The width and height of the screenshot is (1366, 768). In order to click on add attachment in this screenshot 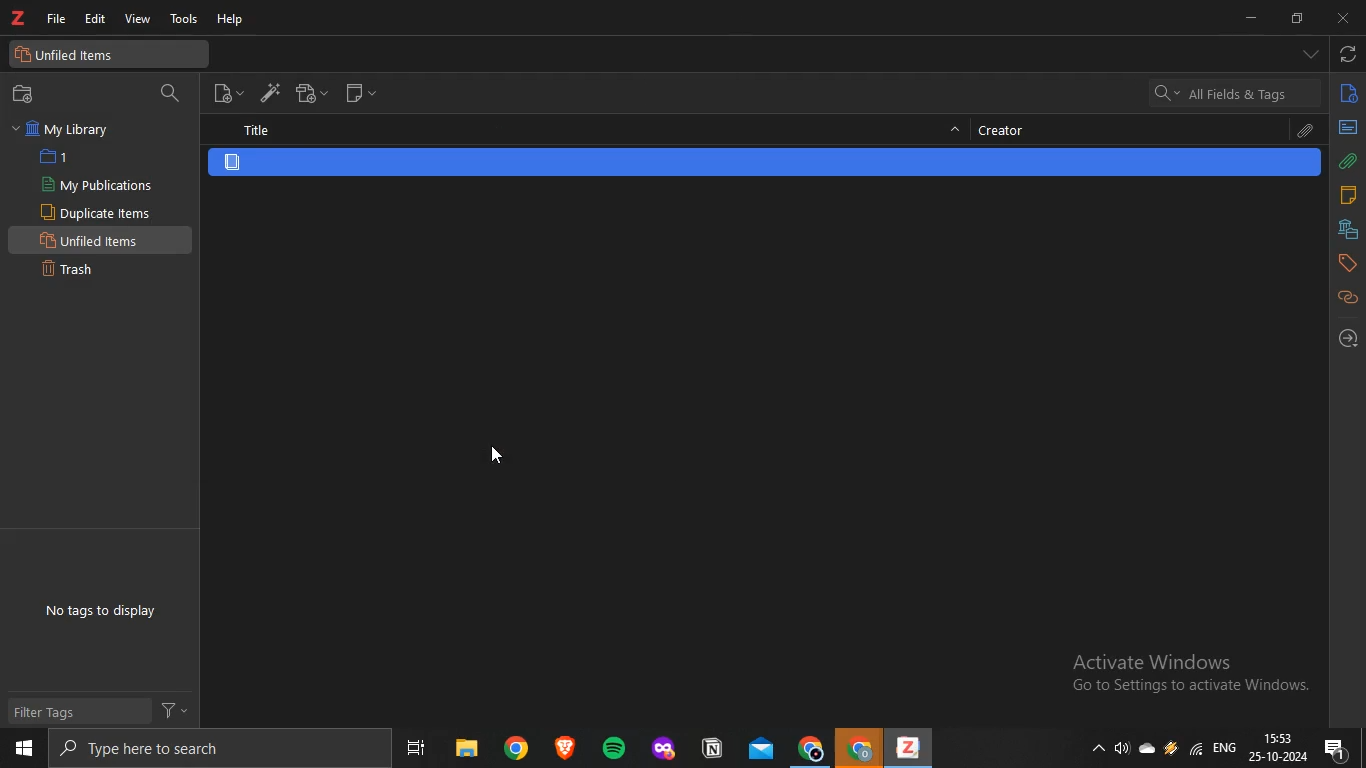, I will do `click(313, 93)`.